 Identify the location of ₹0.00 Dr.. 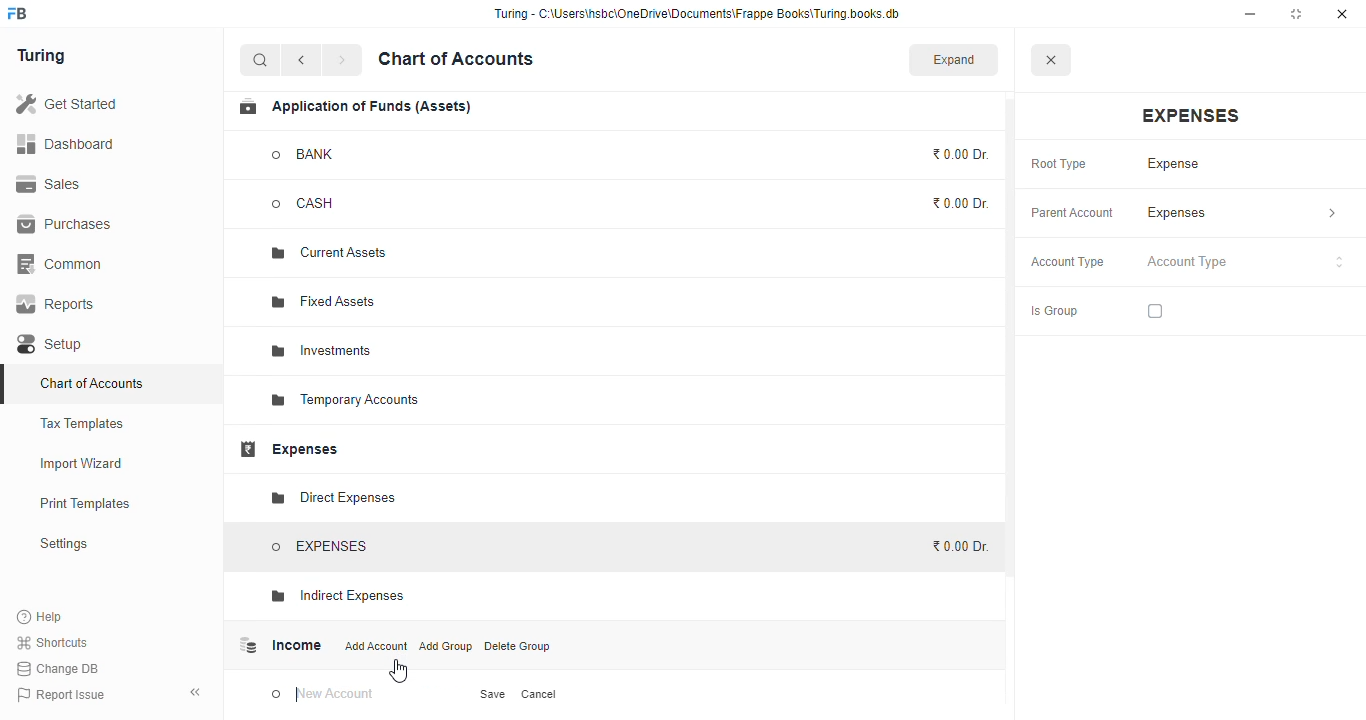
(961, 154).